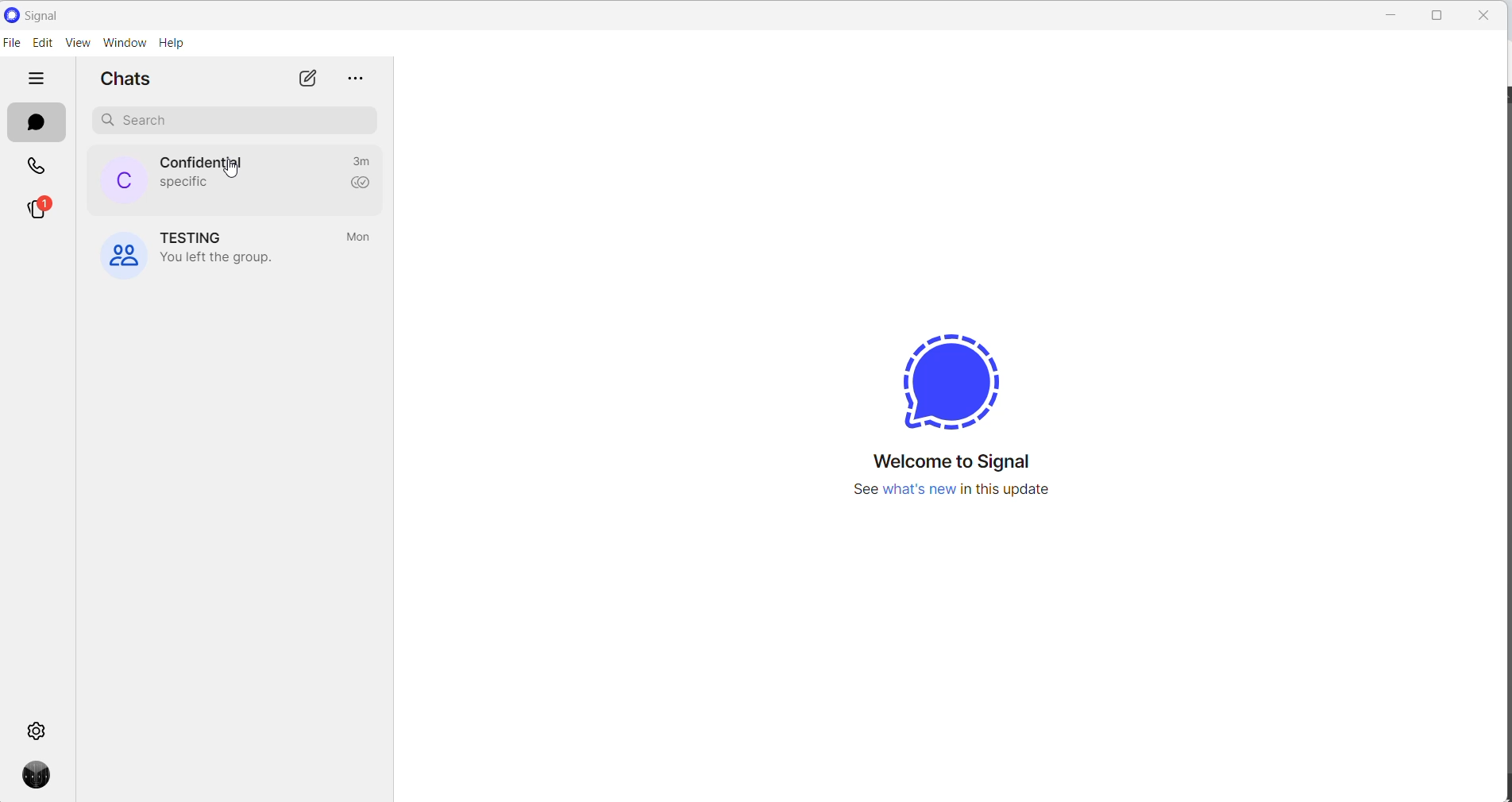  What do you see at coordinates (223, 258) in the screenshot?
I see `group left notification` at bounding box center [223, 258].